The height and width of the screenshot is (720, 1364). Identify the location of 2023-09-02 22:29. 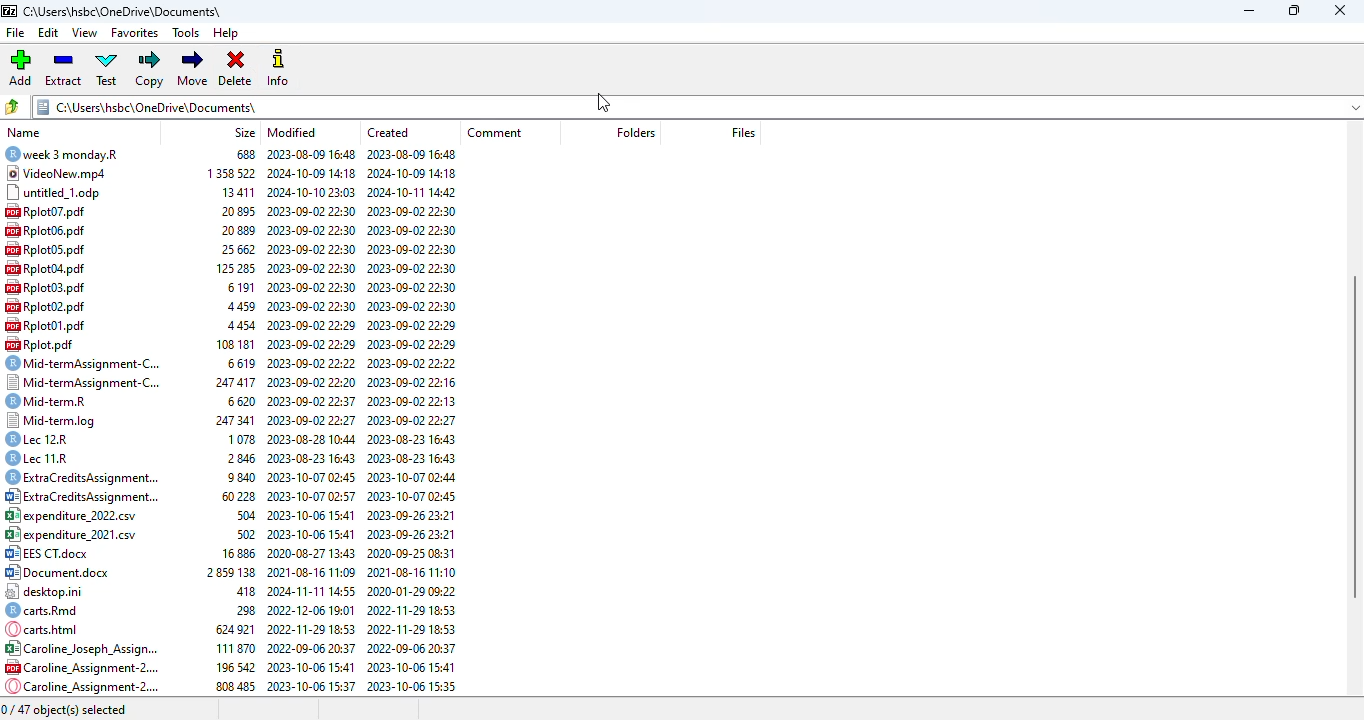
(311, 326).